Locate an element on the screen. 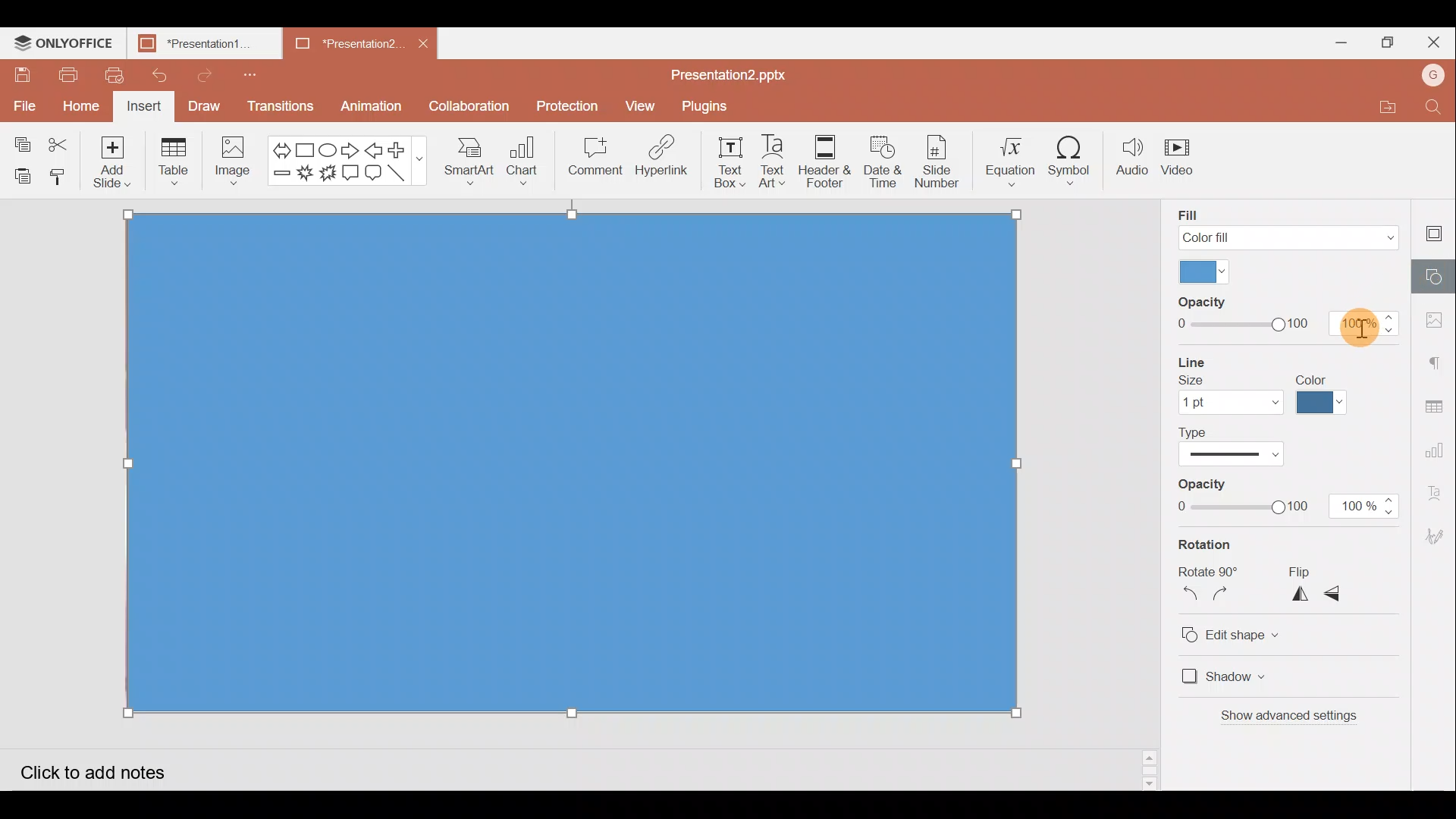 The image size is (1456, 819). Open file location is located at coordinates (1397, 106).